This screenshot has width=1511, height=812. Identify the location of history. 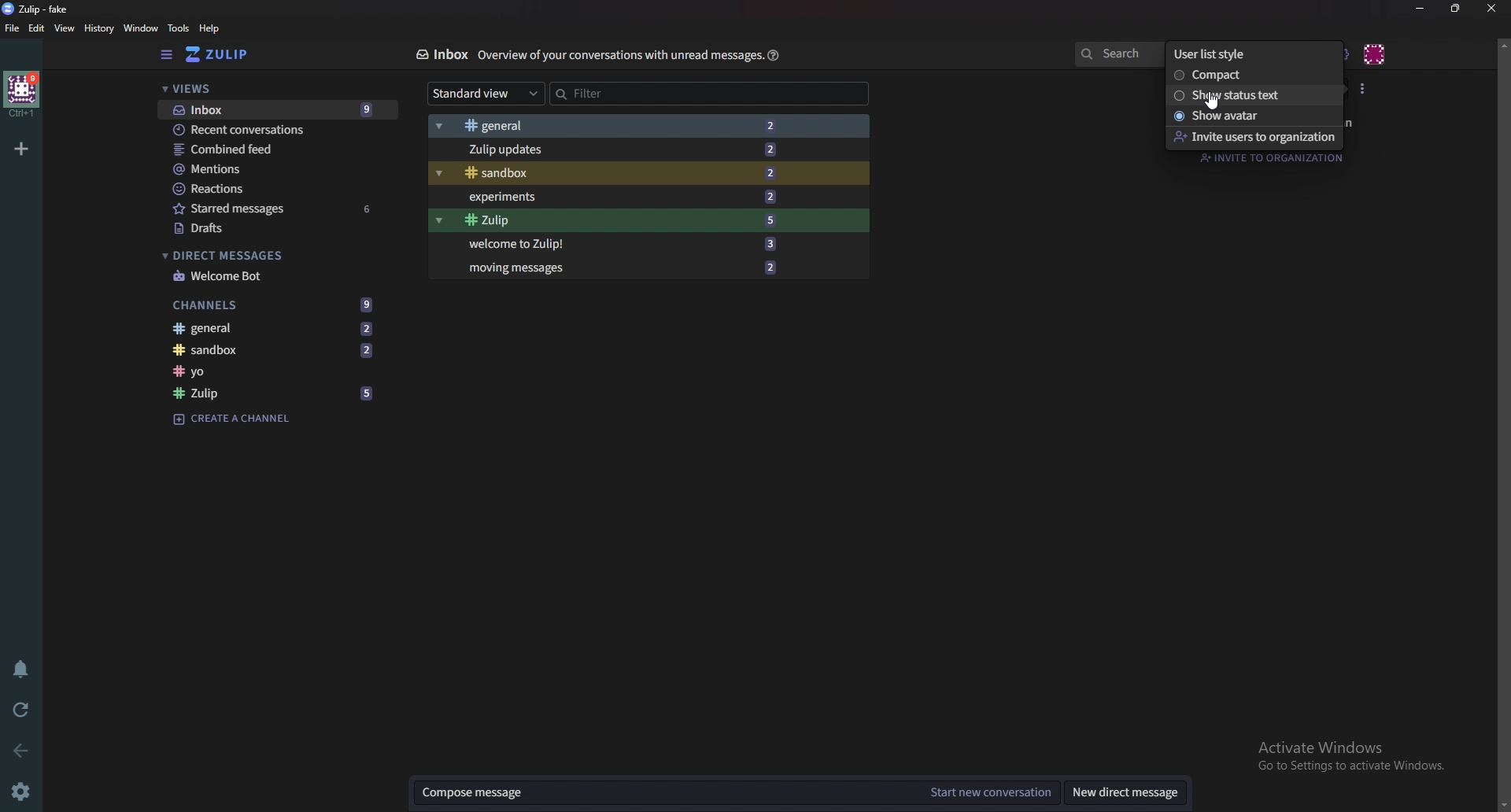
(96, 28).